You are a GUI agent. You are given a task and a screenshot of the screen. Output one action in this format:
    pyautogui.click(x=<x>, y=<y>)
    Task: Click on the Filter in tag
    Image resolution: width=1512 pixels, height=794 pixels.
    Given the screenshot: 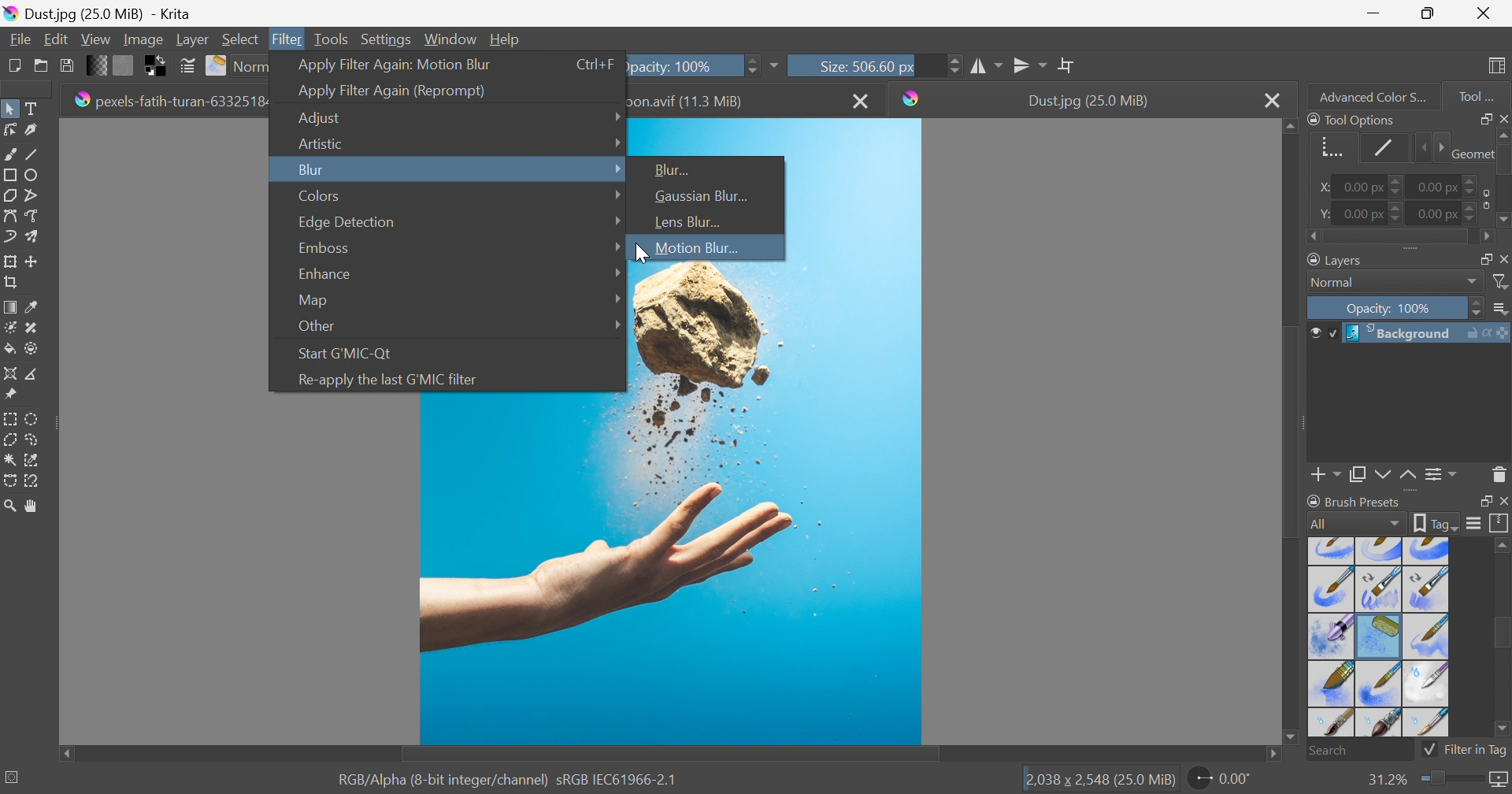 What is the action you would take?
    pyautogui.click(x=1466, y=750)
    